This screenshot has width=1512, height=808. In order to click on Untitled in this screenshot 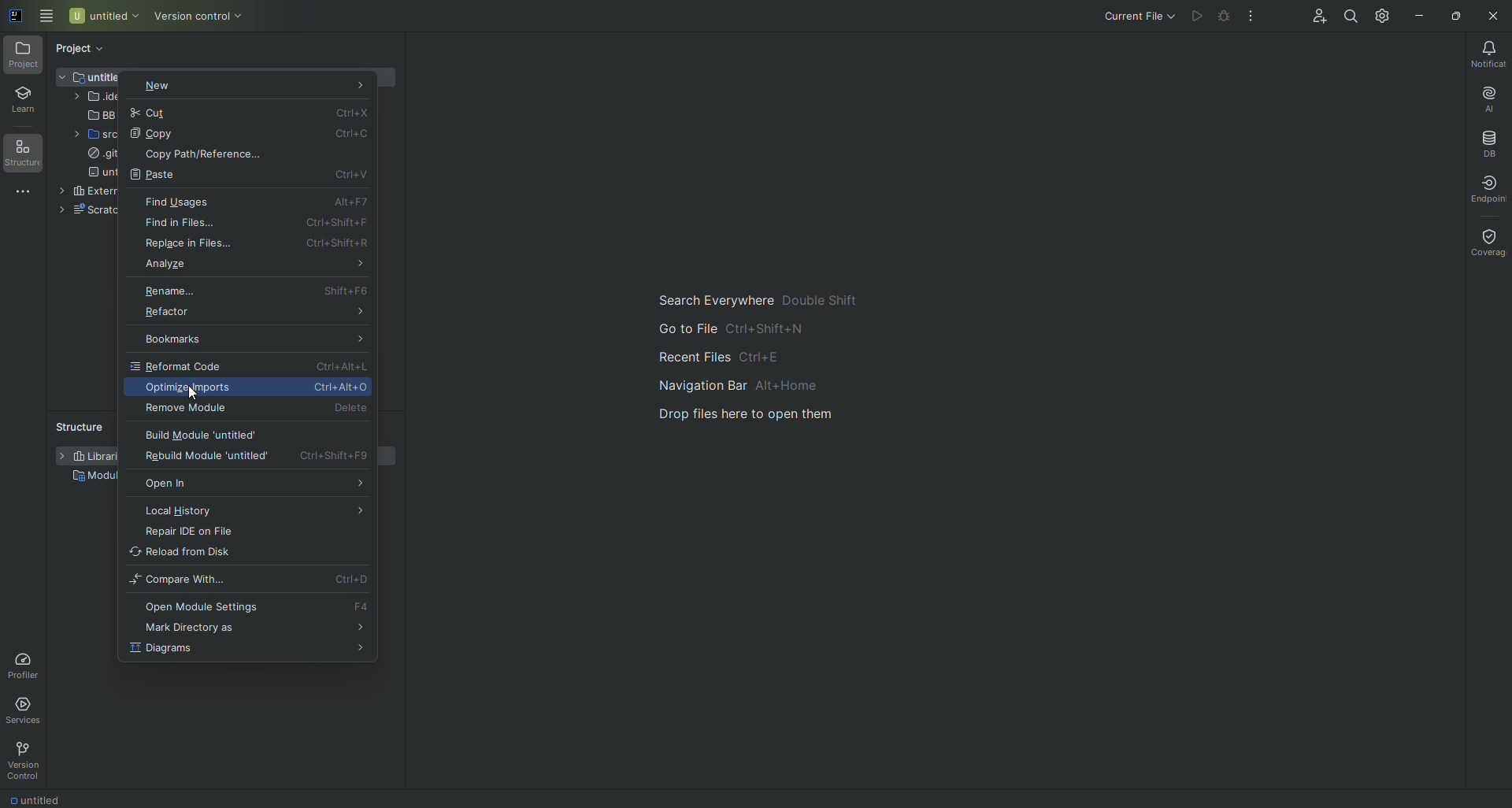, I will do `click(93, 76)`.